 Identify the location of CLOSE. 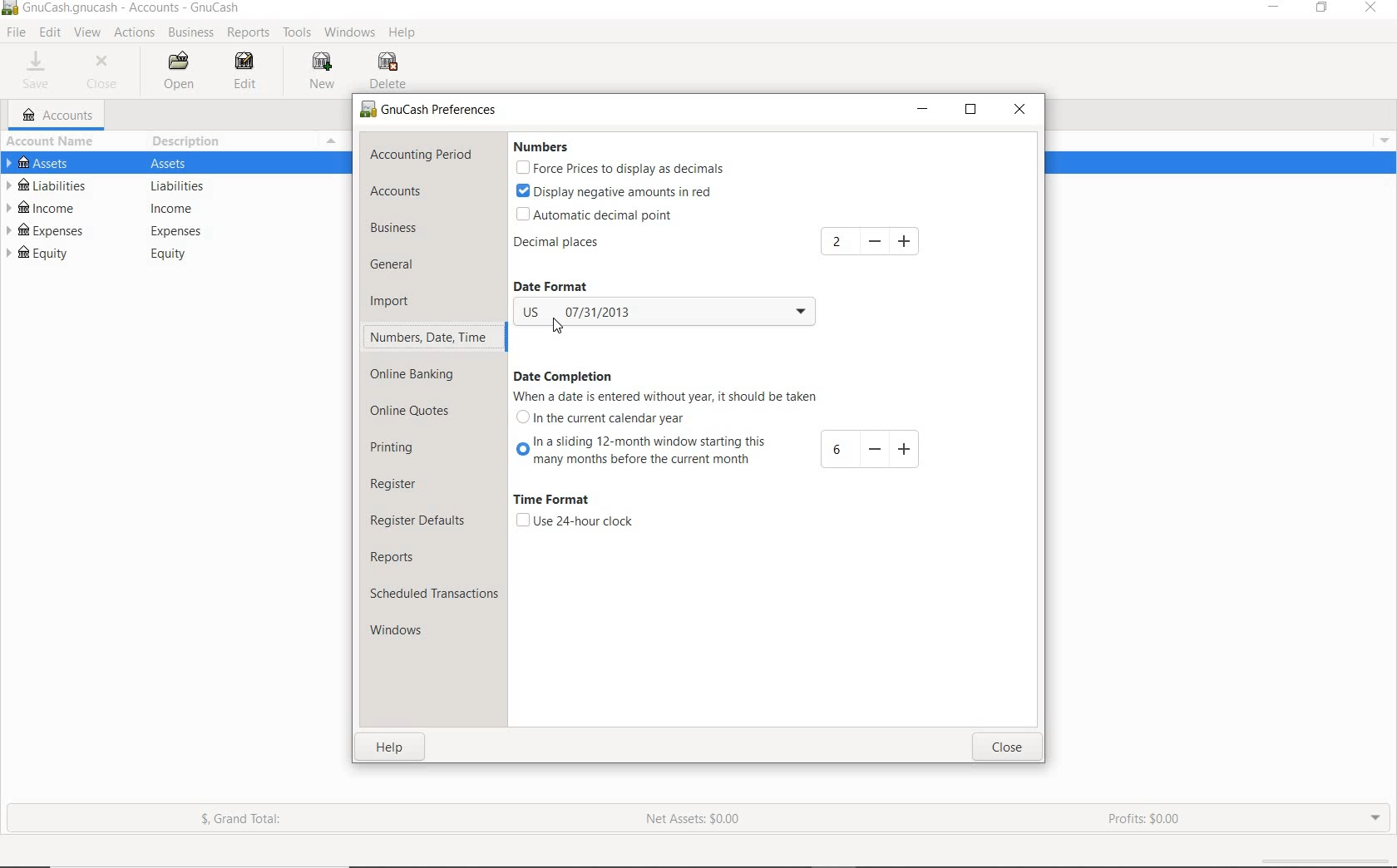
(106, 72).